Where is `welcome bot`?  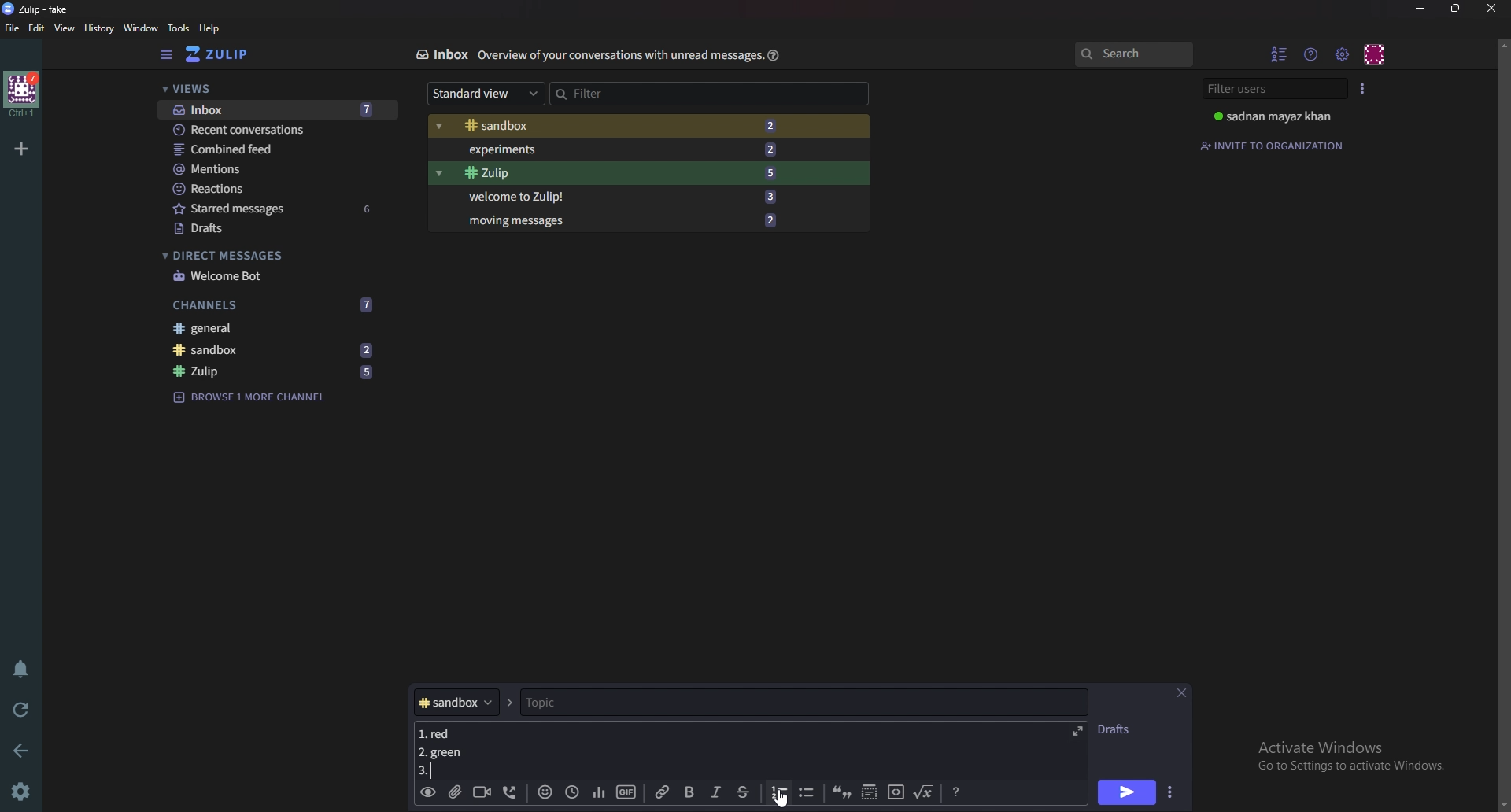
welcome bot is located at coordinates (272, 275).